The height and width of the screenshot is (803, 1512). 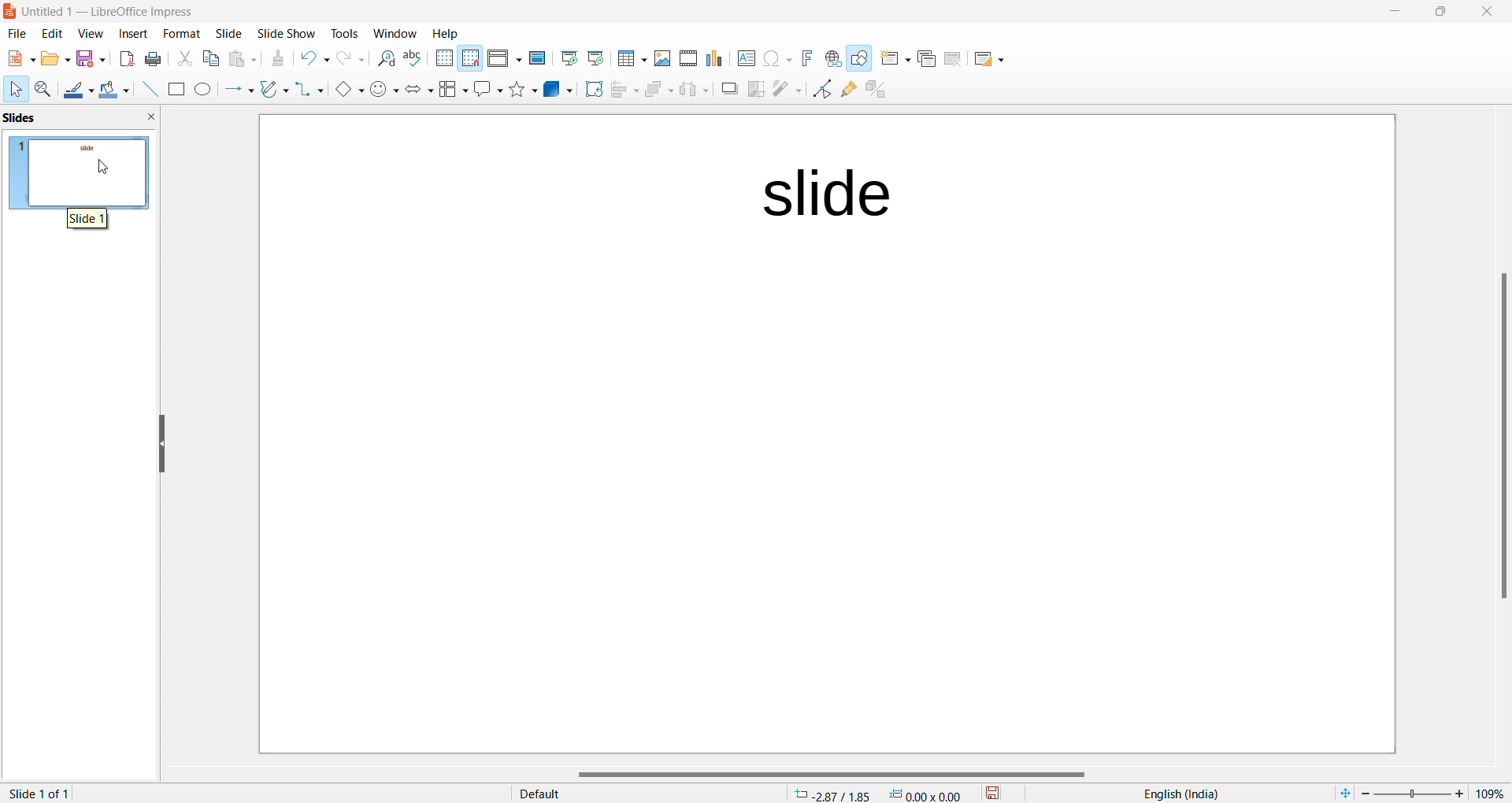 I want to click on maximize, so click(x=1442, y=15).